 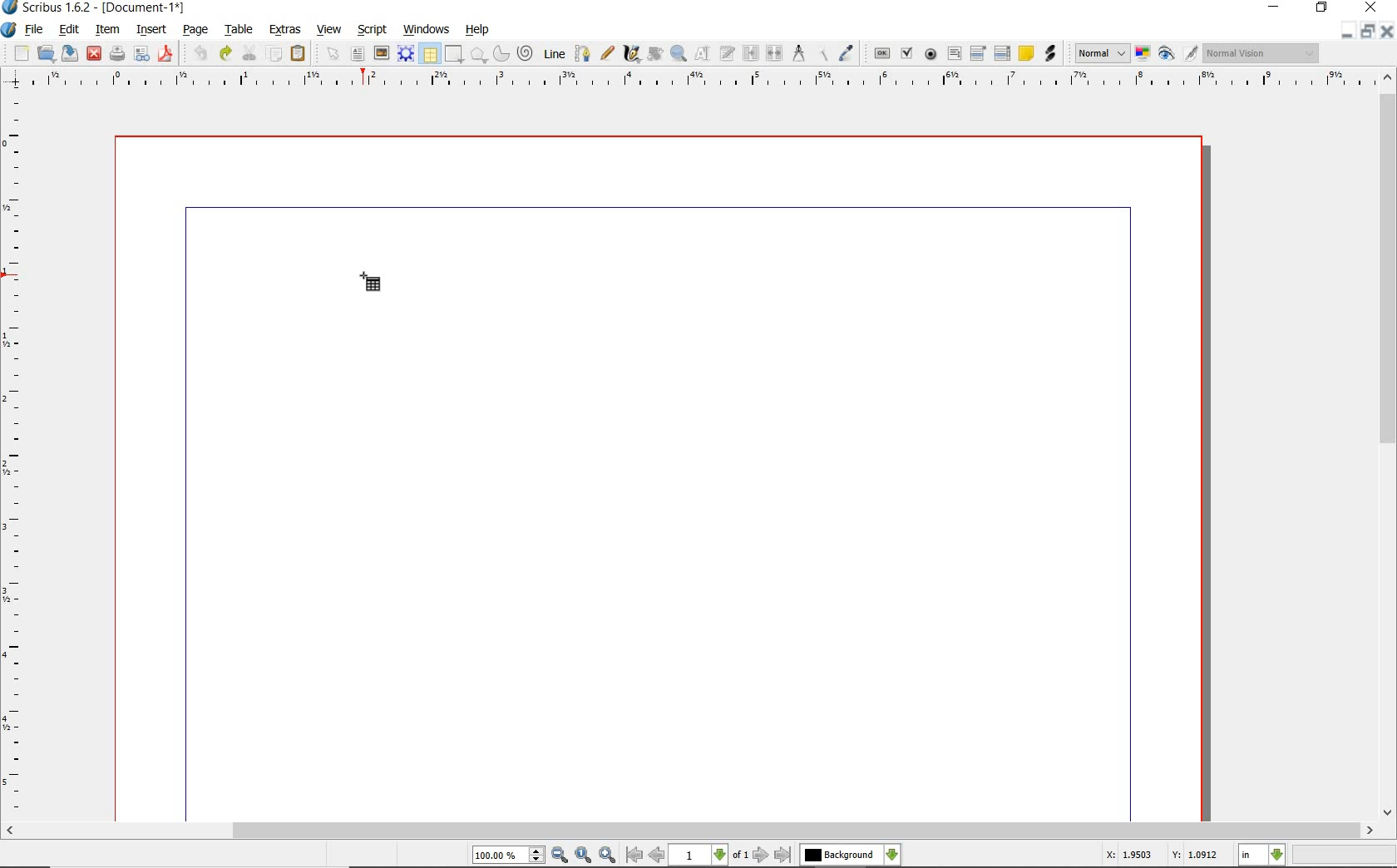 What do you see at coordinates (1345, 32) in the screenshot?
I see `minimize` at bounding box center [1345, 32].